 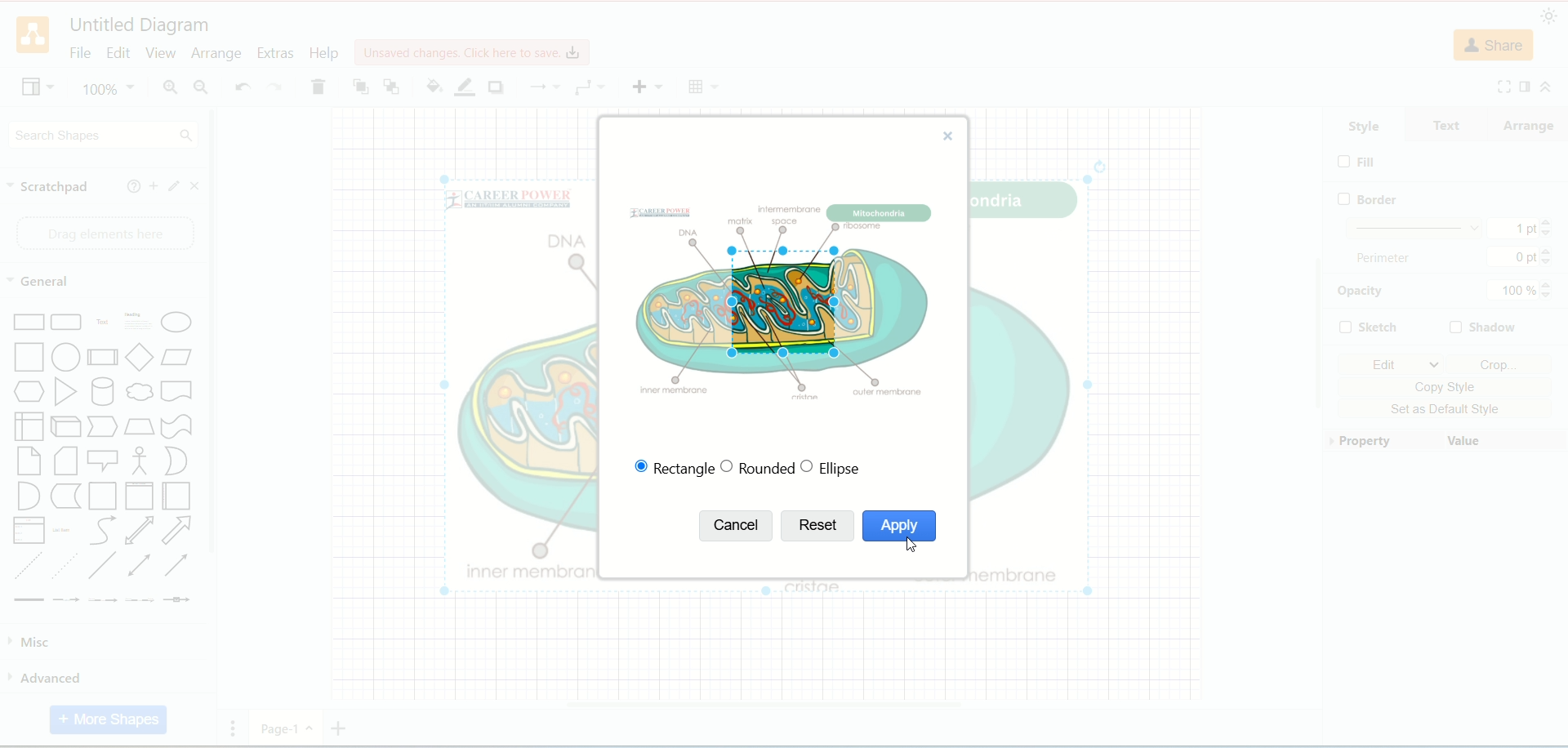 I want to click on Trapezoid, so click(x=139, y=428).